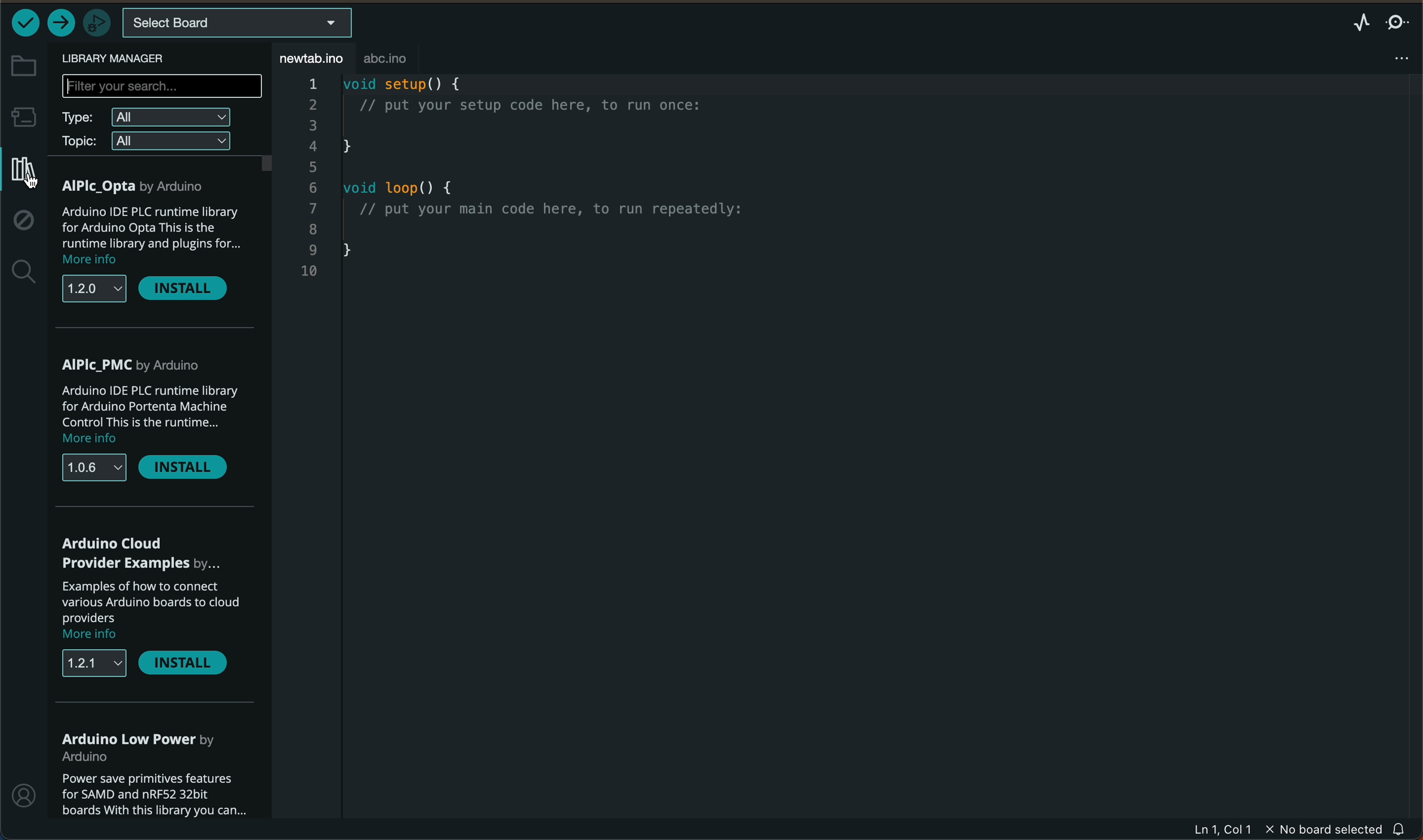 This screenshot has width=1423, height=840. What do you see at coordinates (1405, 829) in the screenshot?
I see `notification` at bounding box center [1405, 829].